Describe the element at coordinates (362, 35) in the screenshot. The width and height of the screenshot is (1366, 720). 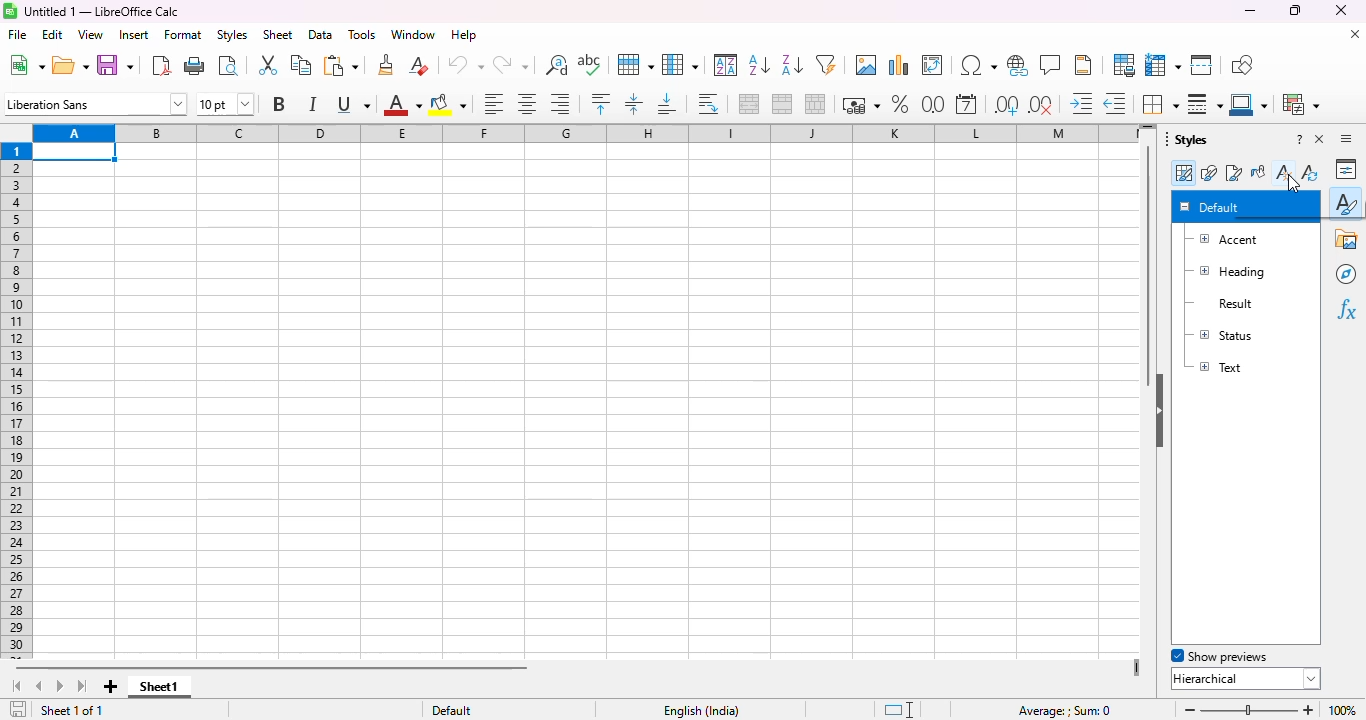
I see `tools` at that location.